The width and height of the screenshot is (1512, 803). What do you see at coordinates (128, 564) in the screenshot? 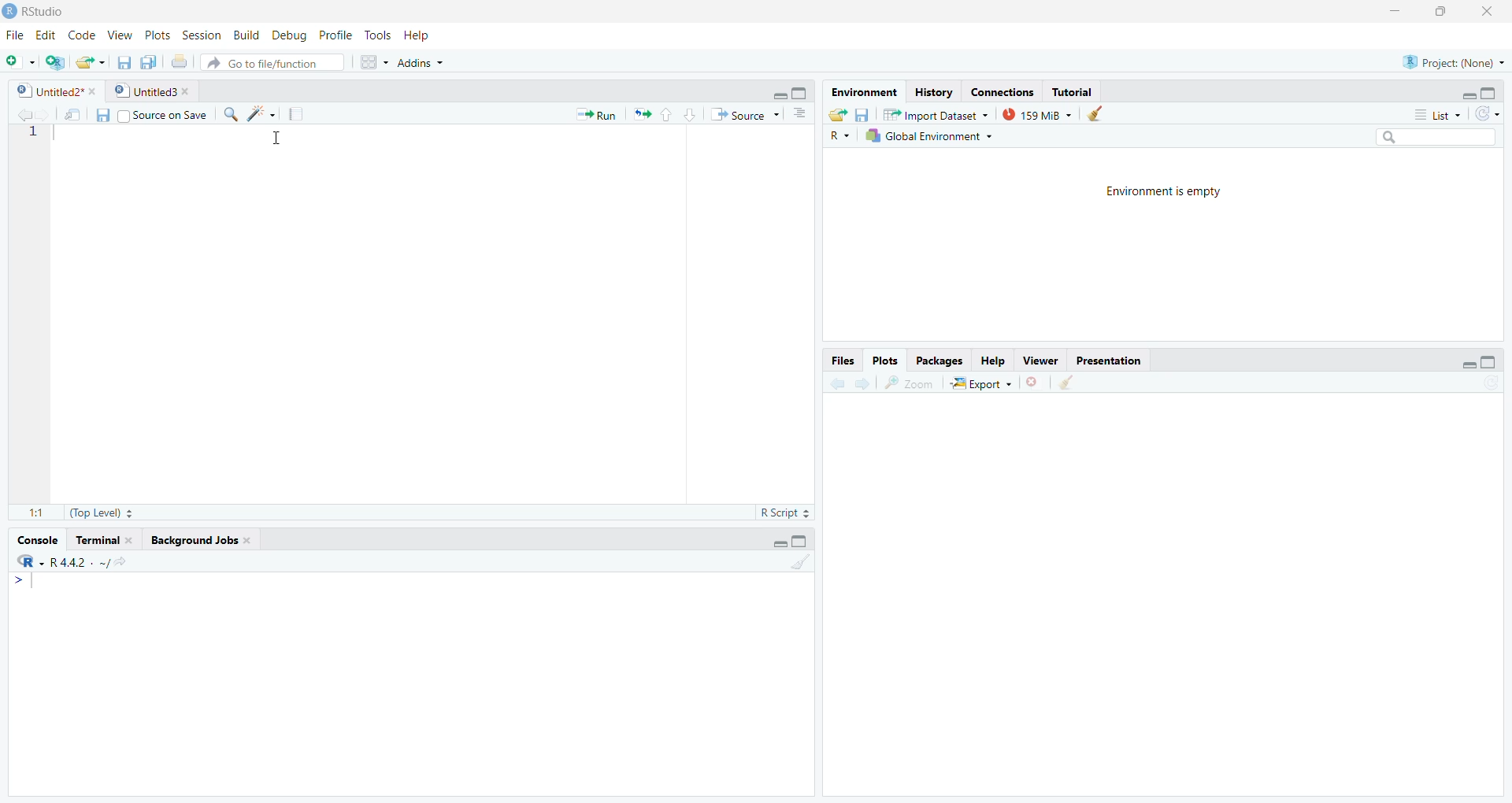
I see `Go` at bounding box center [128, 564].